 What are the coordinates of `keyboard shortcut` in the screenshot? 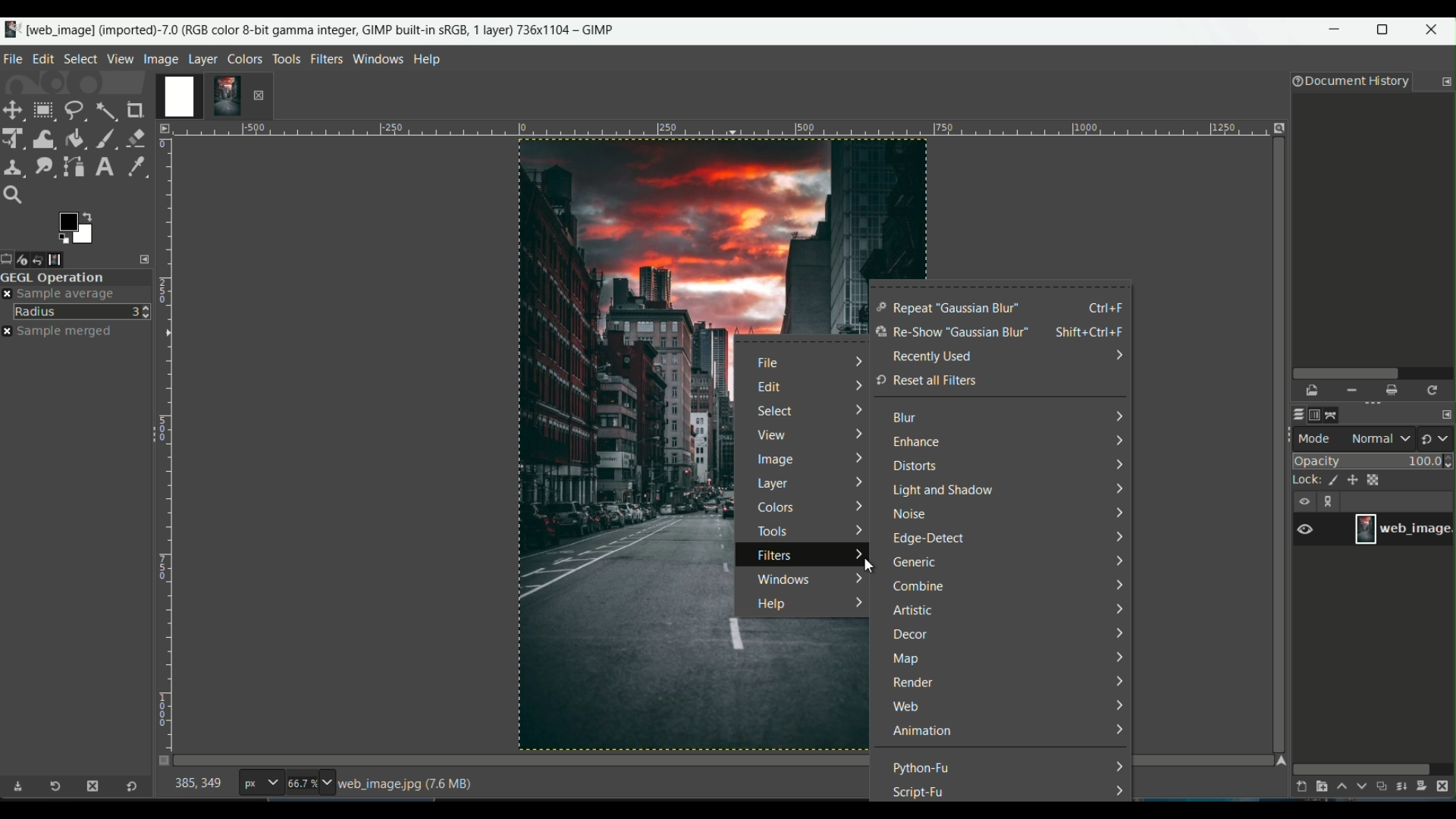 It's located at (1094, 333).